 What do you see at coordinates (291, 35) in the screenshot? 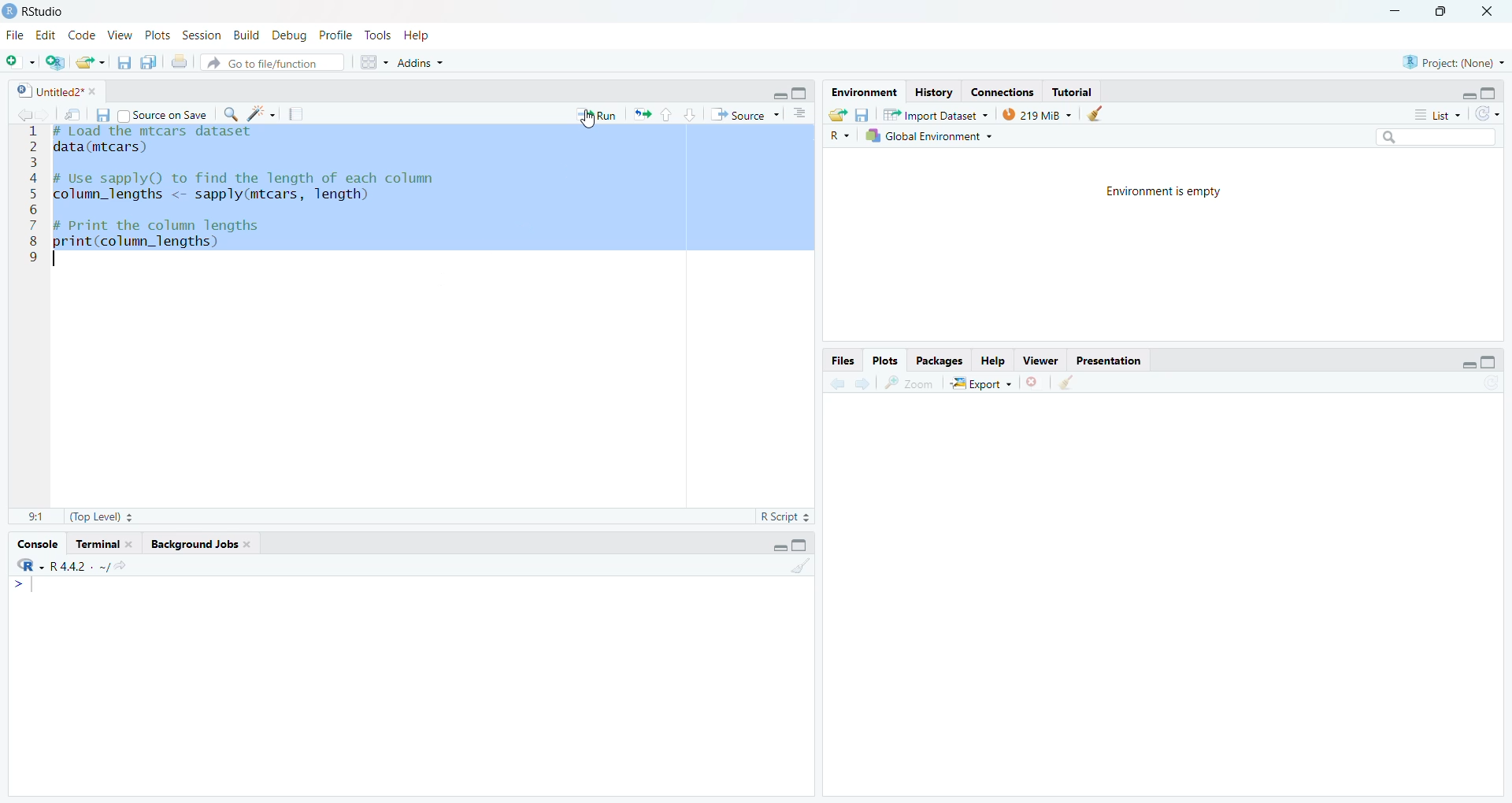
I see `Debug` at bounding box center [291, 35].